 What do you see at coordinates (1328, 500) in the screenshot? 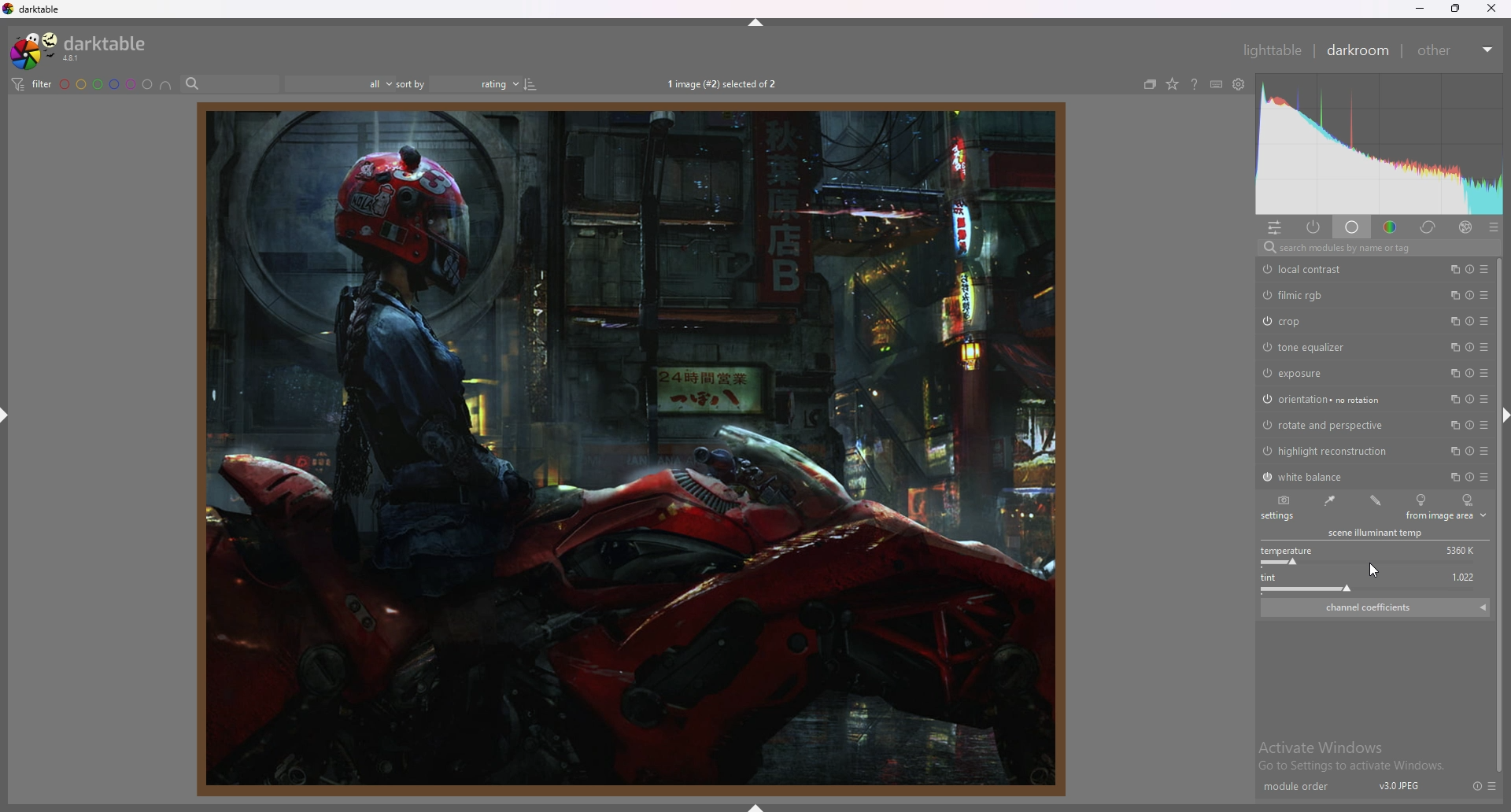
I see `from image area` at bounding box center [1328, 500].